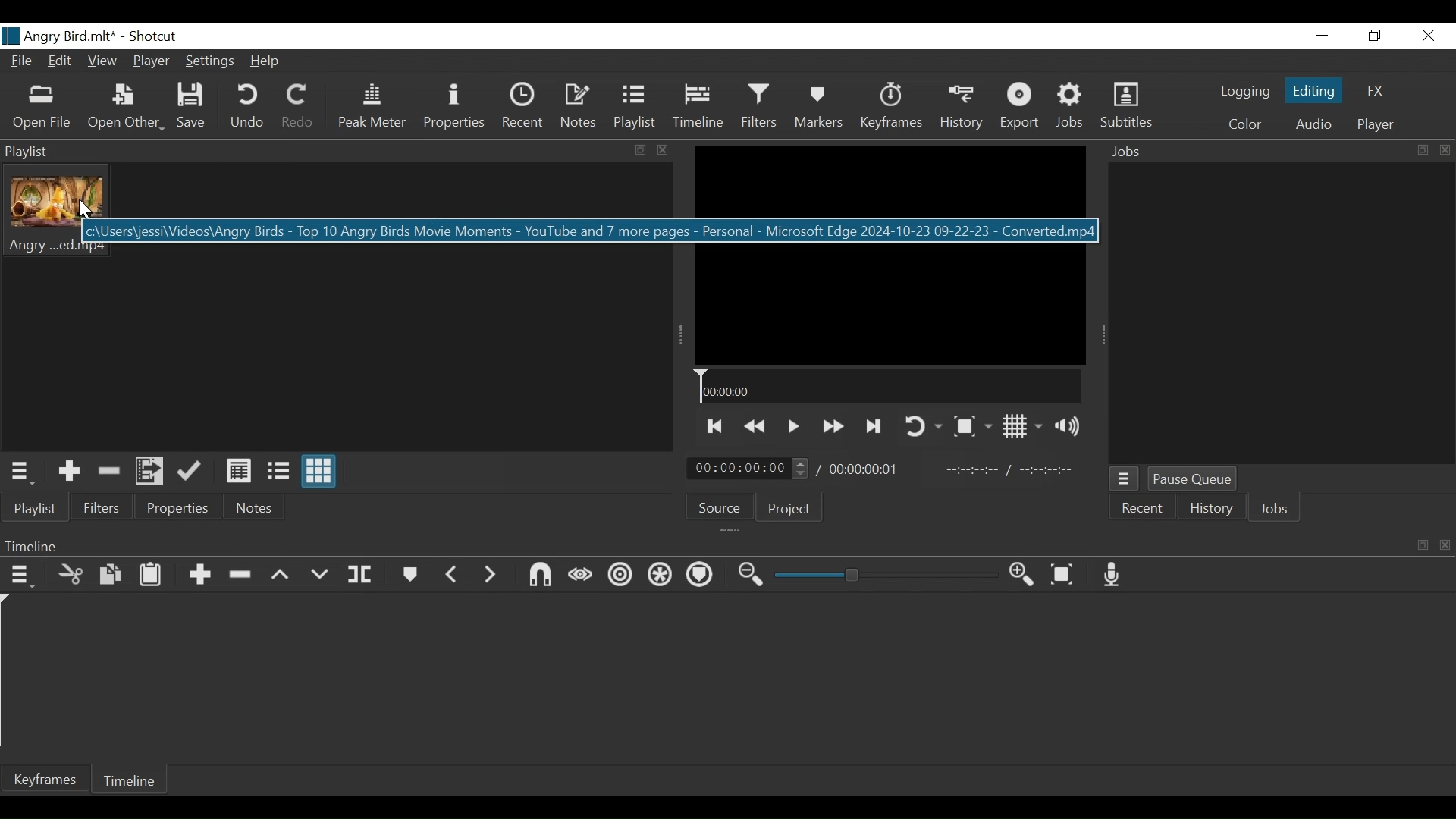 Image resolution: width=1456 pixels, height=819 pixels. I want to click on Add the Source to the playlist, so click(67, 472).